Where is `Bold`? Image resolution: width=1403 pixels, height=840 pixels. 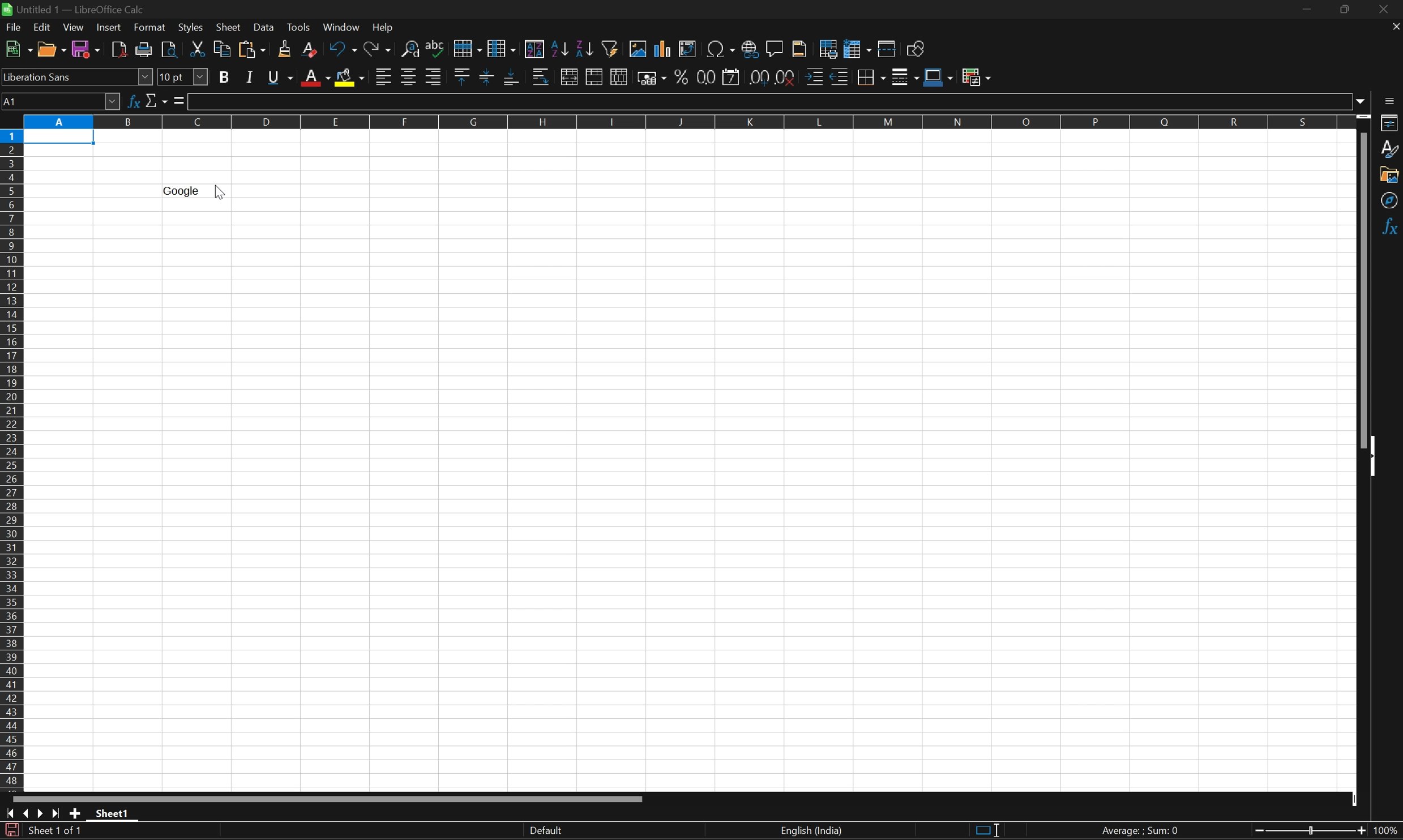 Bold is located at coordinates (226, 77).